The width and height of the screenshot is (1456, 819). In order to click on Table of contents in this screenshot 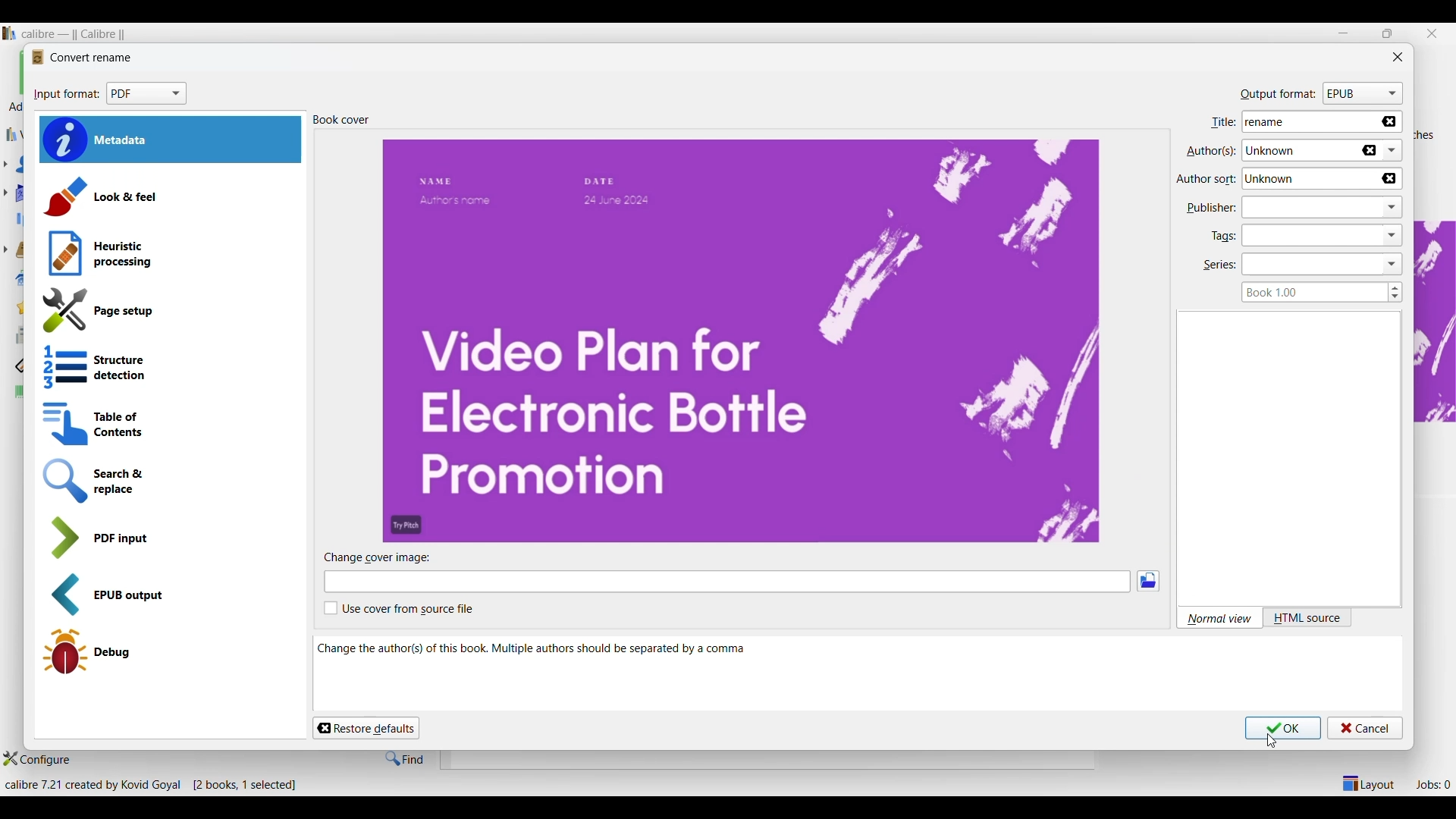, I will do `click(165, 423)`.